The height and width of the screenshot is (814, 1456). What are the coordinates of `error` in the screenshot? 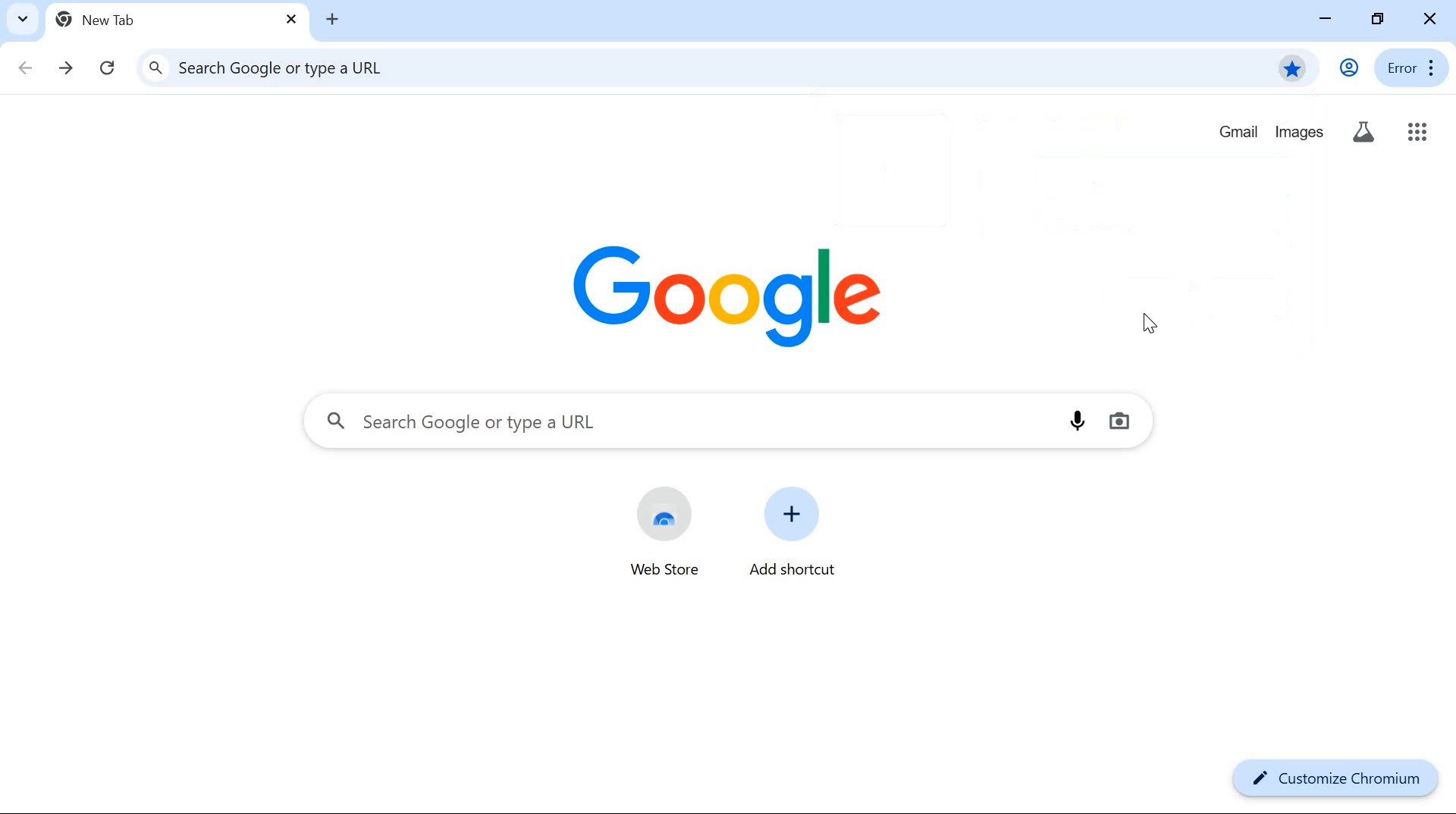 It's located at (1399, 67).